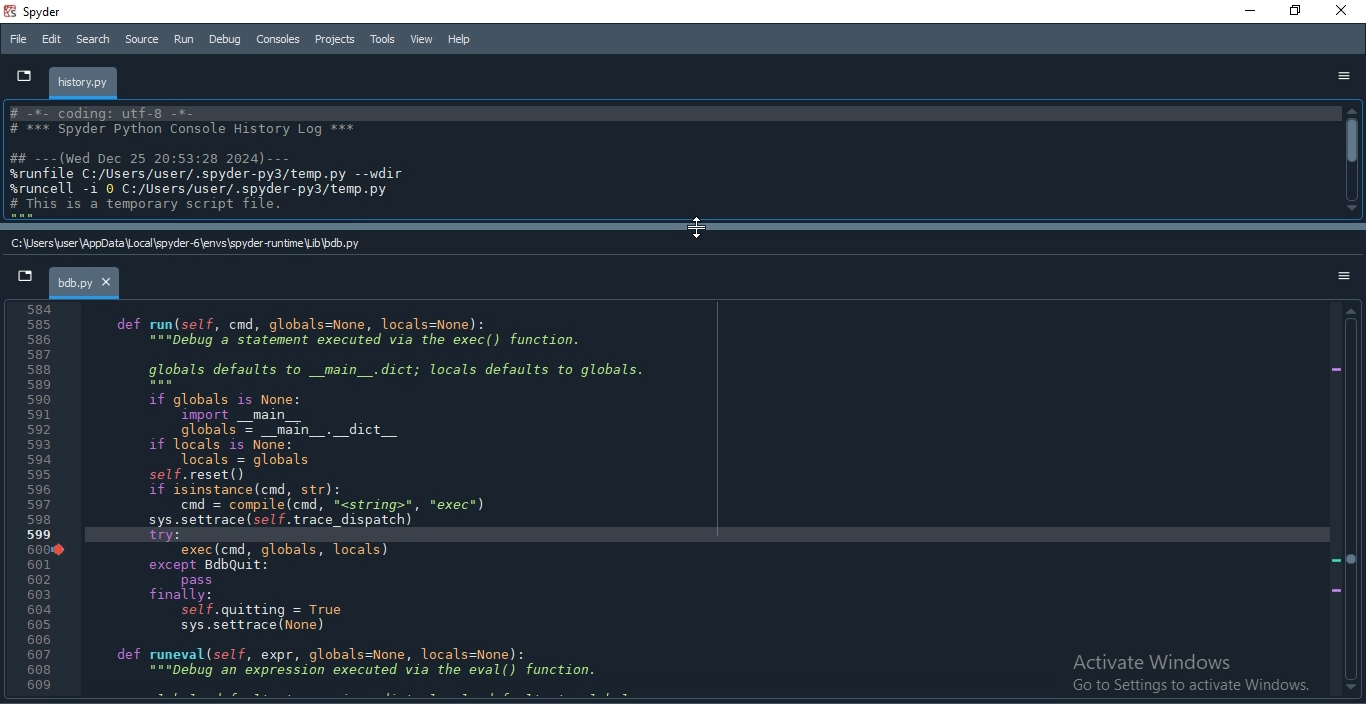  Describe the element at coordinates (279, 38) in the screenshot. I see `Consoles` at that location.